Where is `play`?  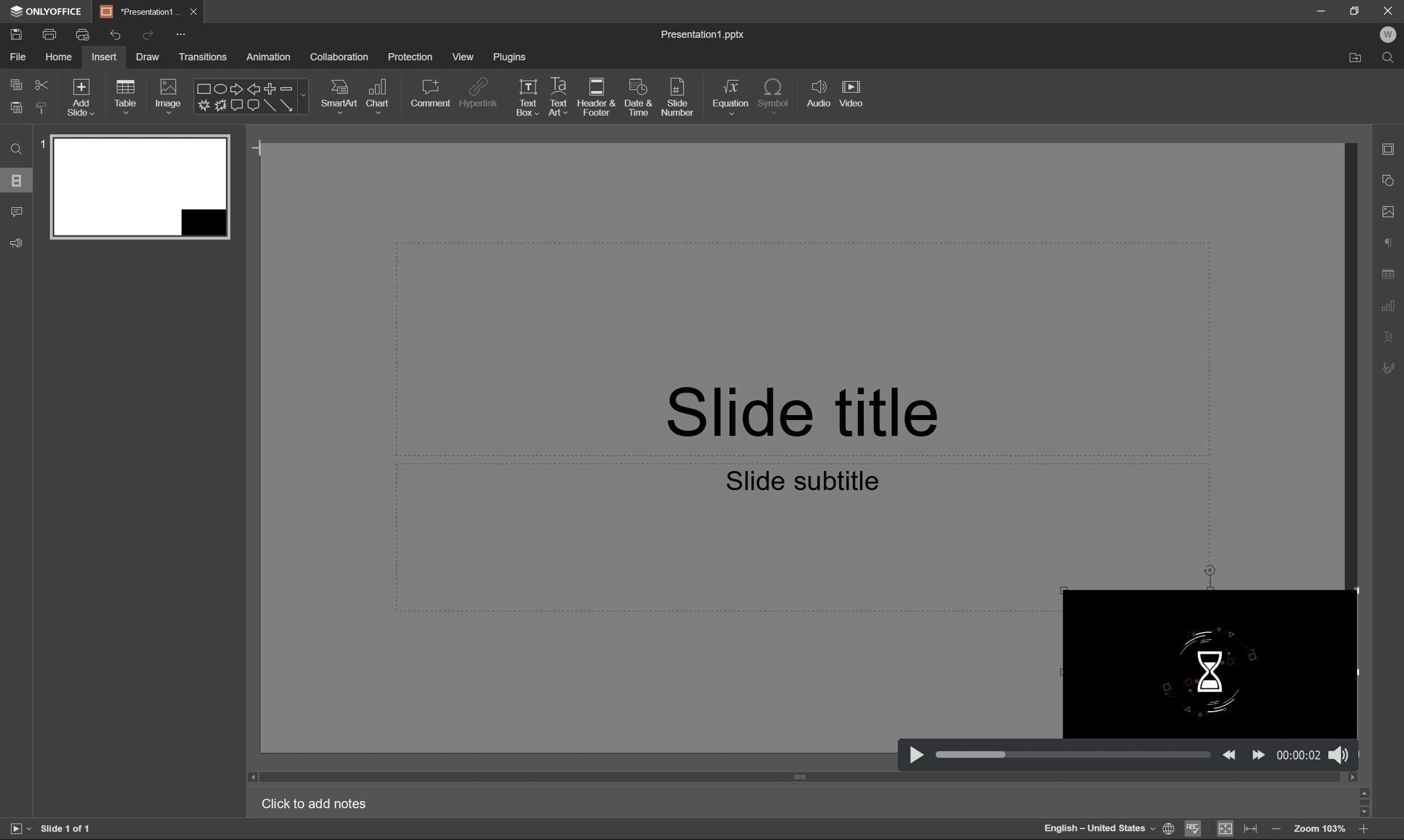 play is located at coordinates (916, 753).